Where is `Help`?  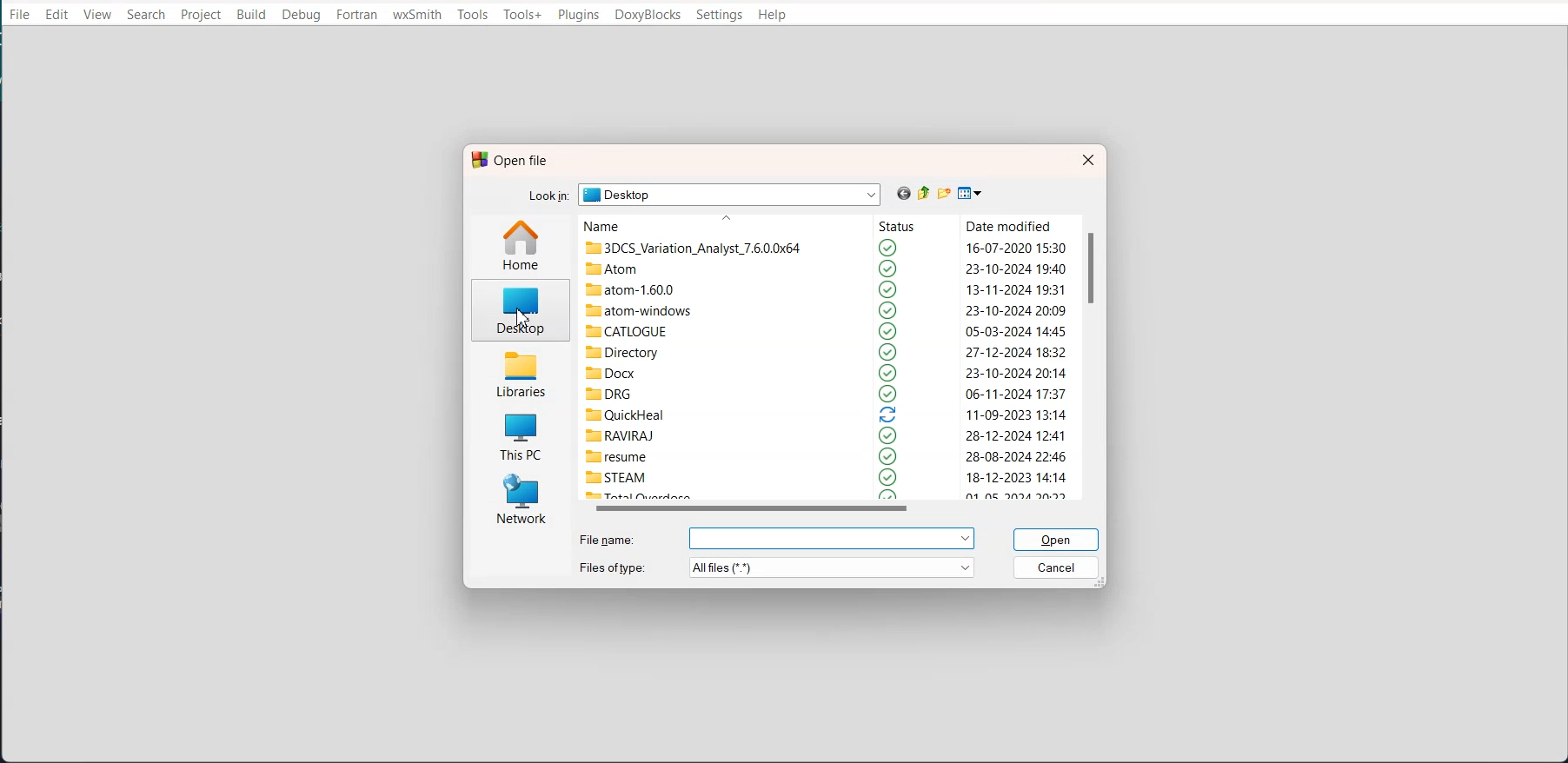 Help is located at coordinates (773, 16).